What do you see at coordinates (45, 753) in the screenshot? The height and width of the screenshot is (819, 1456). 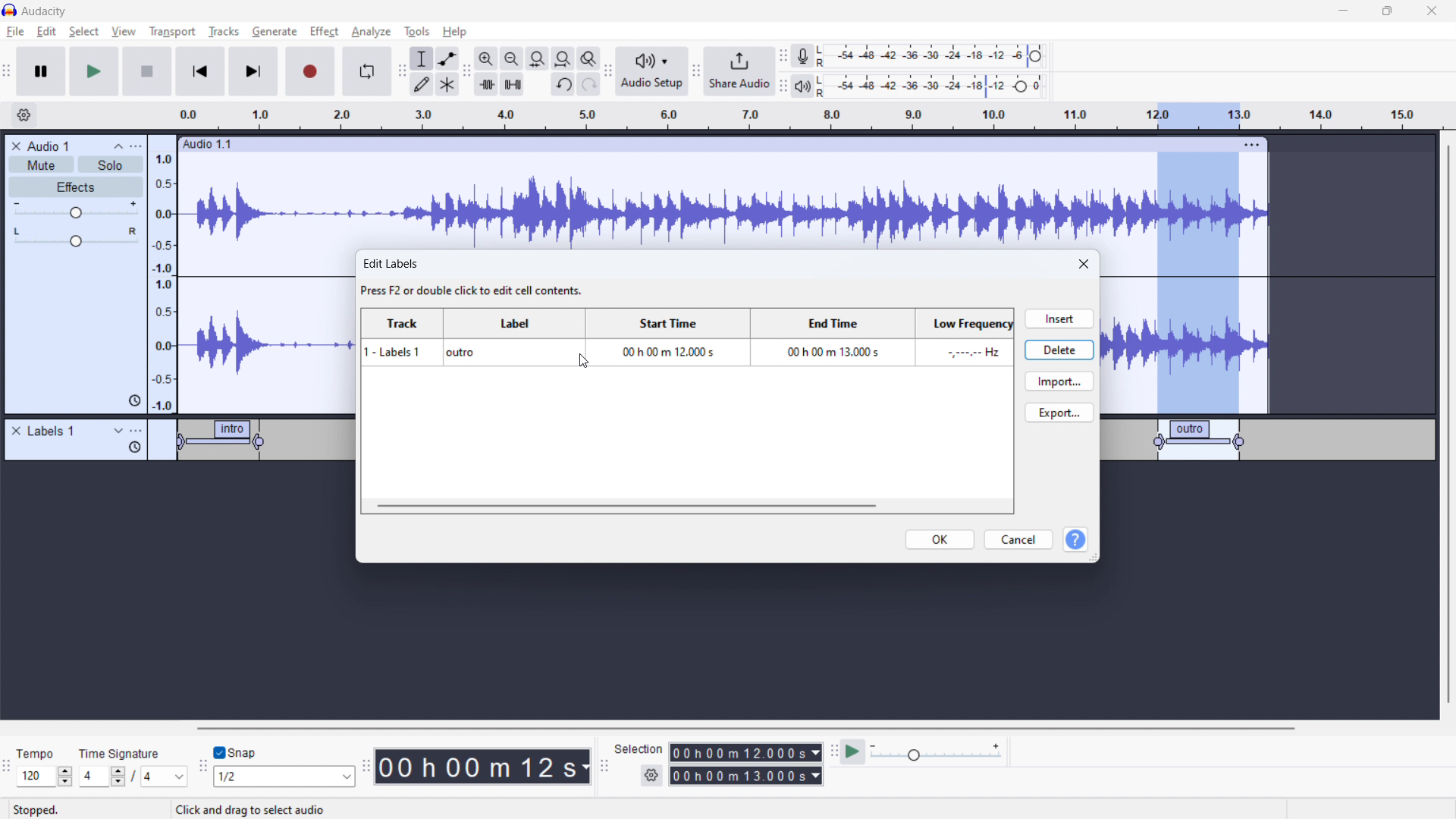 I see `tempo` at bounding box center [45, 753].